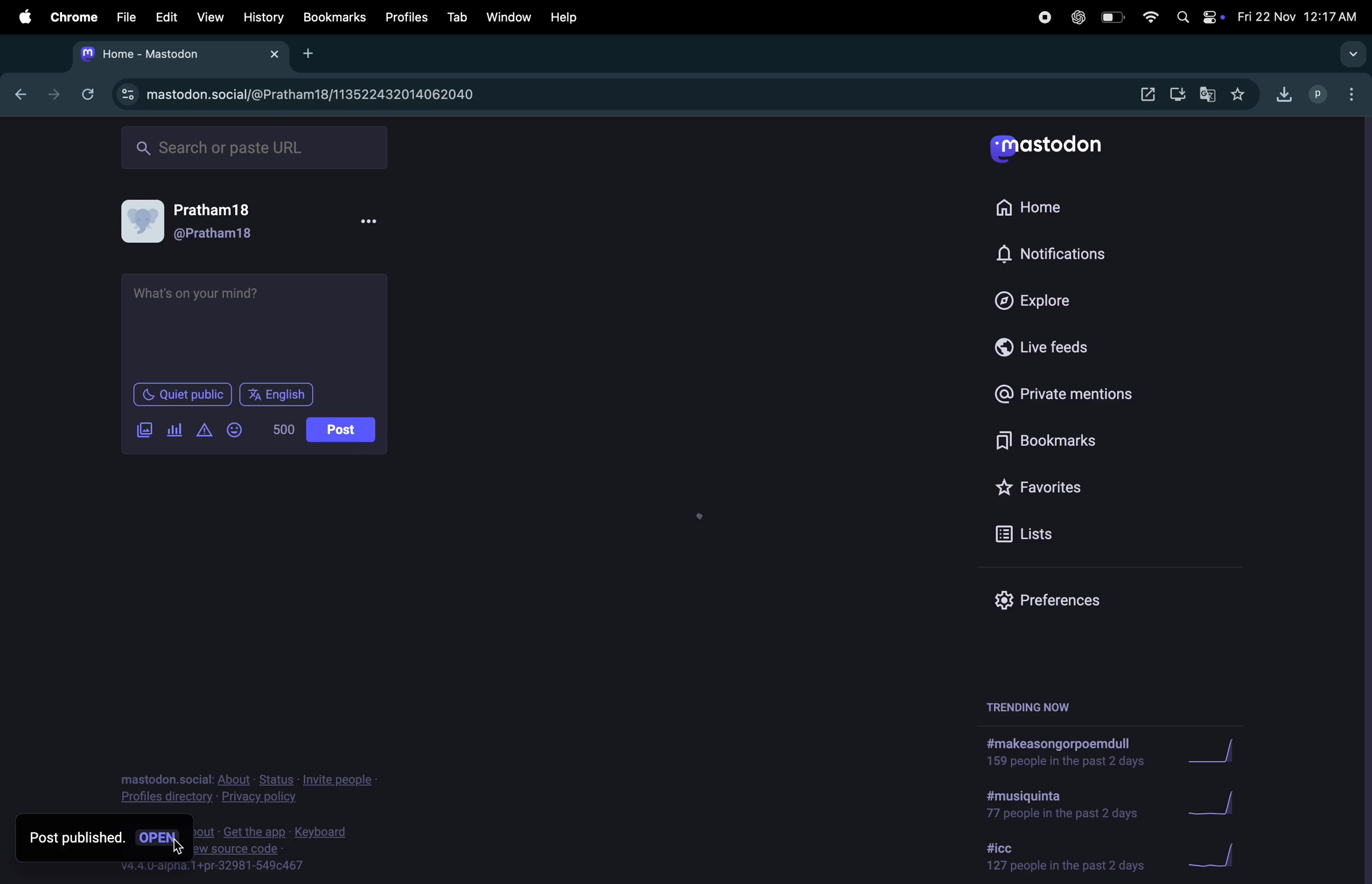 Image resolution: width=1372 pixels, height=884 pixels. I want to click on view site information, so click(126, 95).